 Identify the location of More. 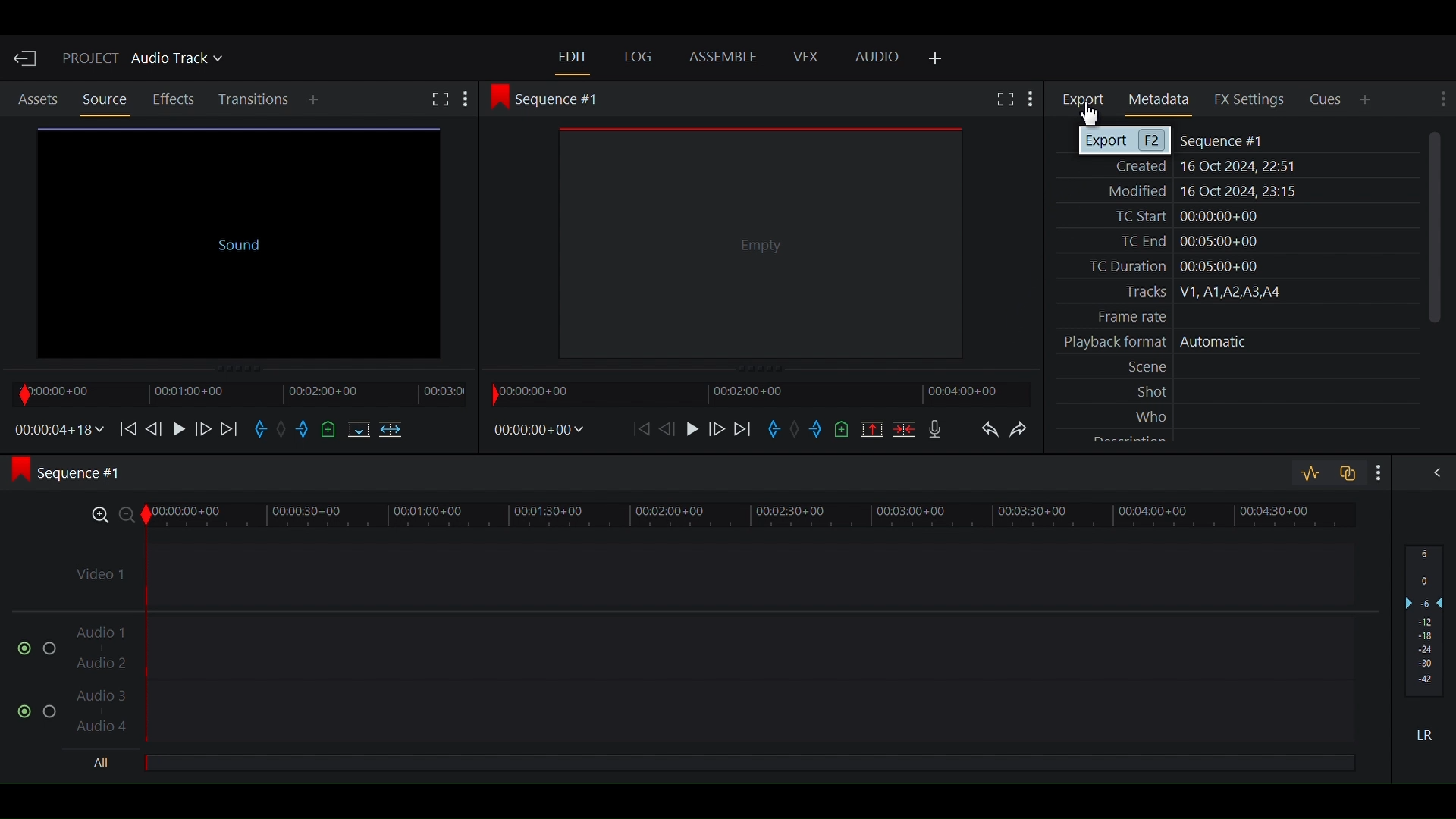
(471, 99).